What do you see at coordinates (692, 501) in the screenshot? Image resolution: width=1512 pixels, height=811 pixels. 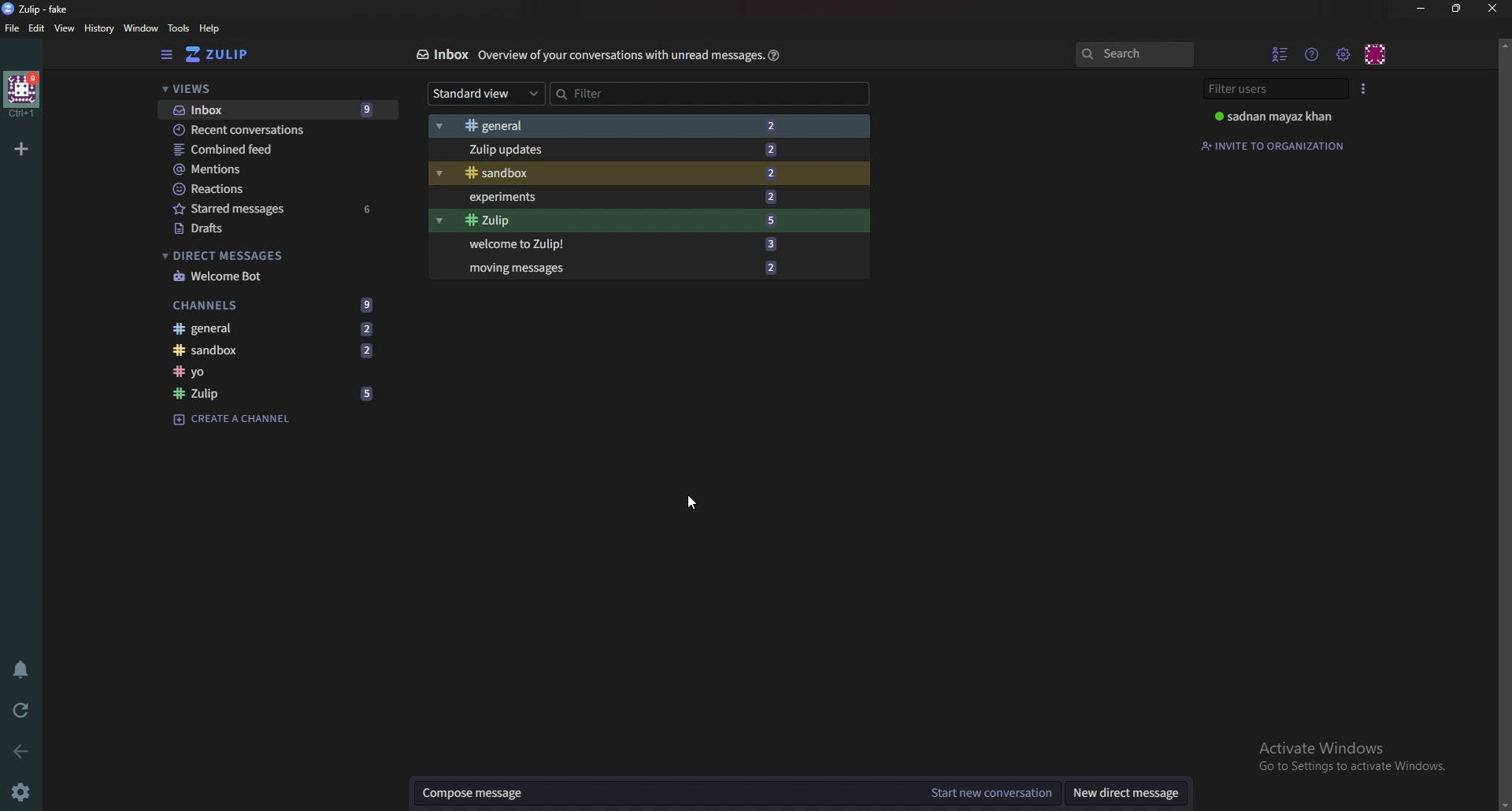 I see `Cursor` at bounding box center [692, 501].